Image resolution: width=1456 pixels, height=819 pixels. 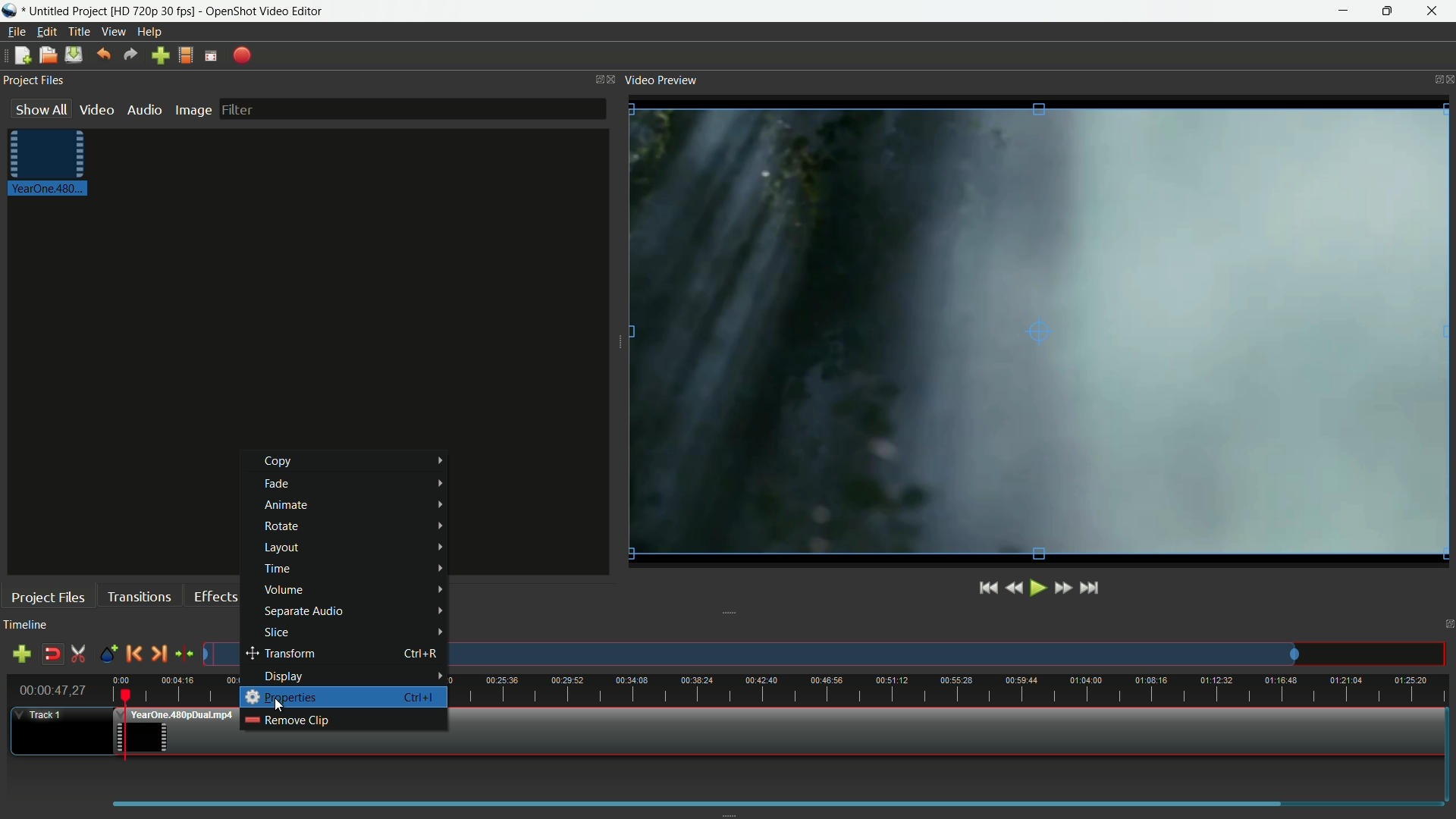 I want to click on filter bar, so click(x=412, y=108).